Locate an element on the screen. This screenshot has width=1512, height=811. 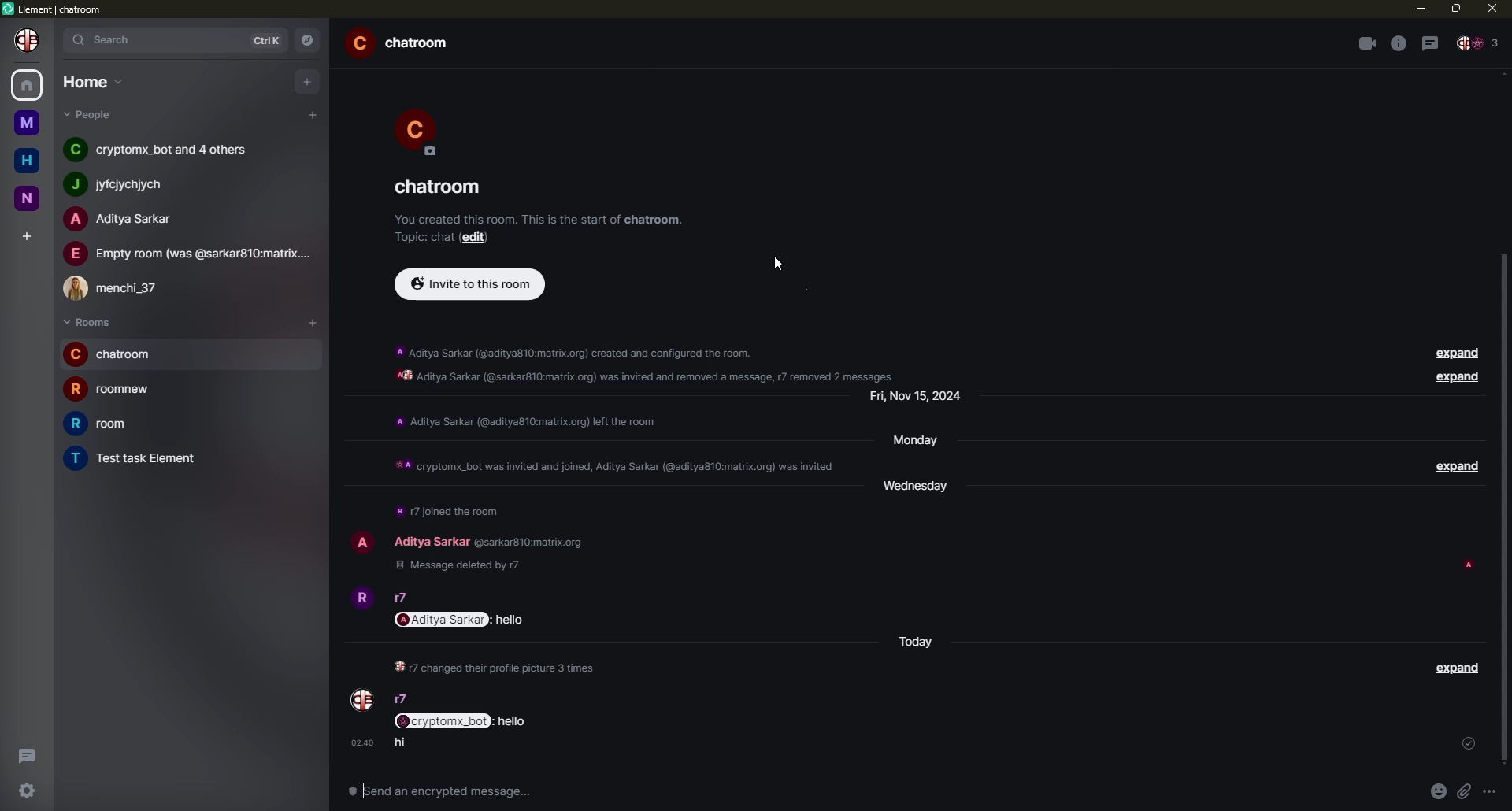
home is located at coordinates (28, 86).